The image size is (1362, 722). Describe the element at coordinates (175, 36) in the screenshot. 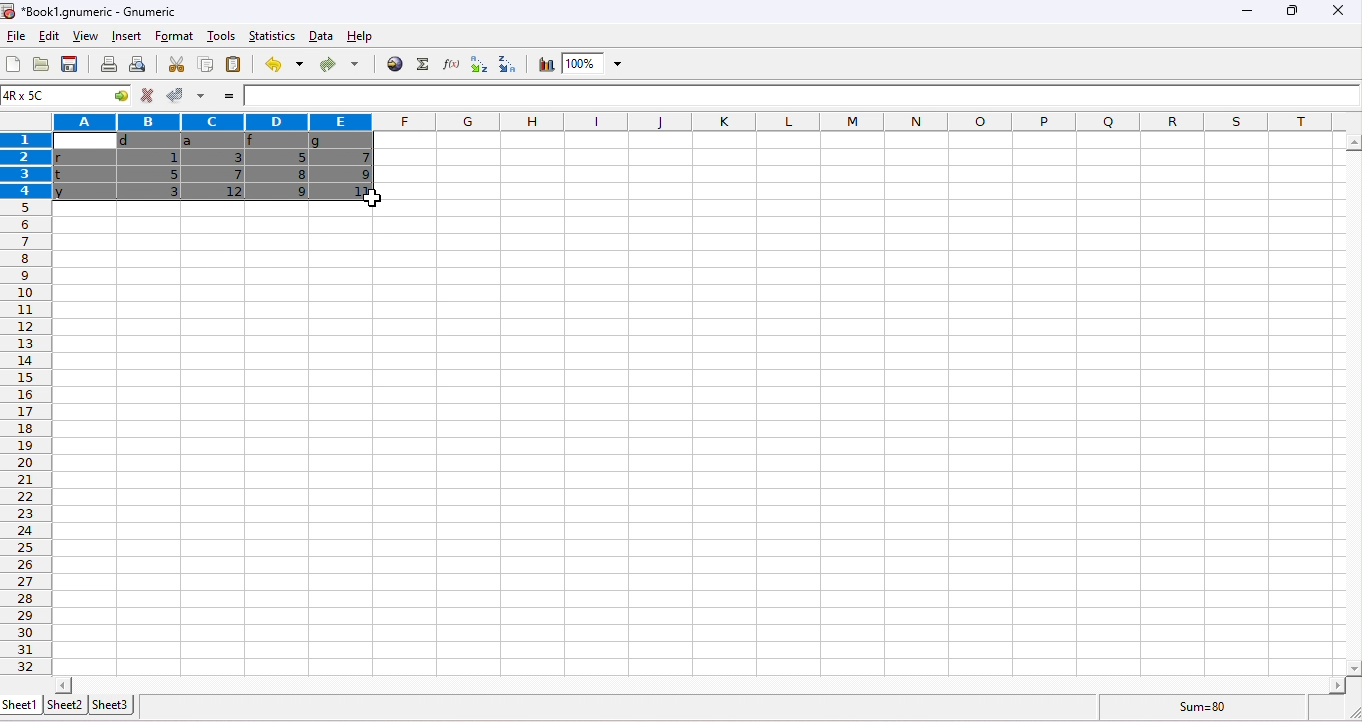

I see `format` at that location.